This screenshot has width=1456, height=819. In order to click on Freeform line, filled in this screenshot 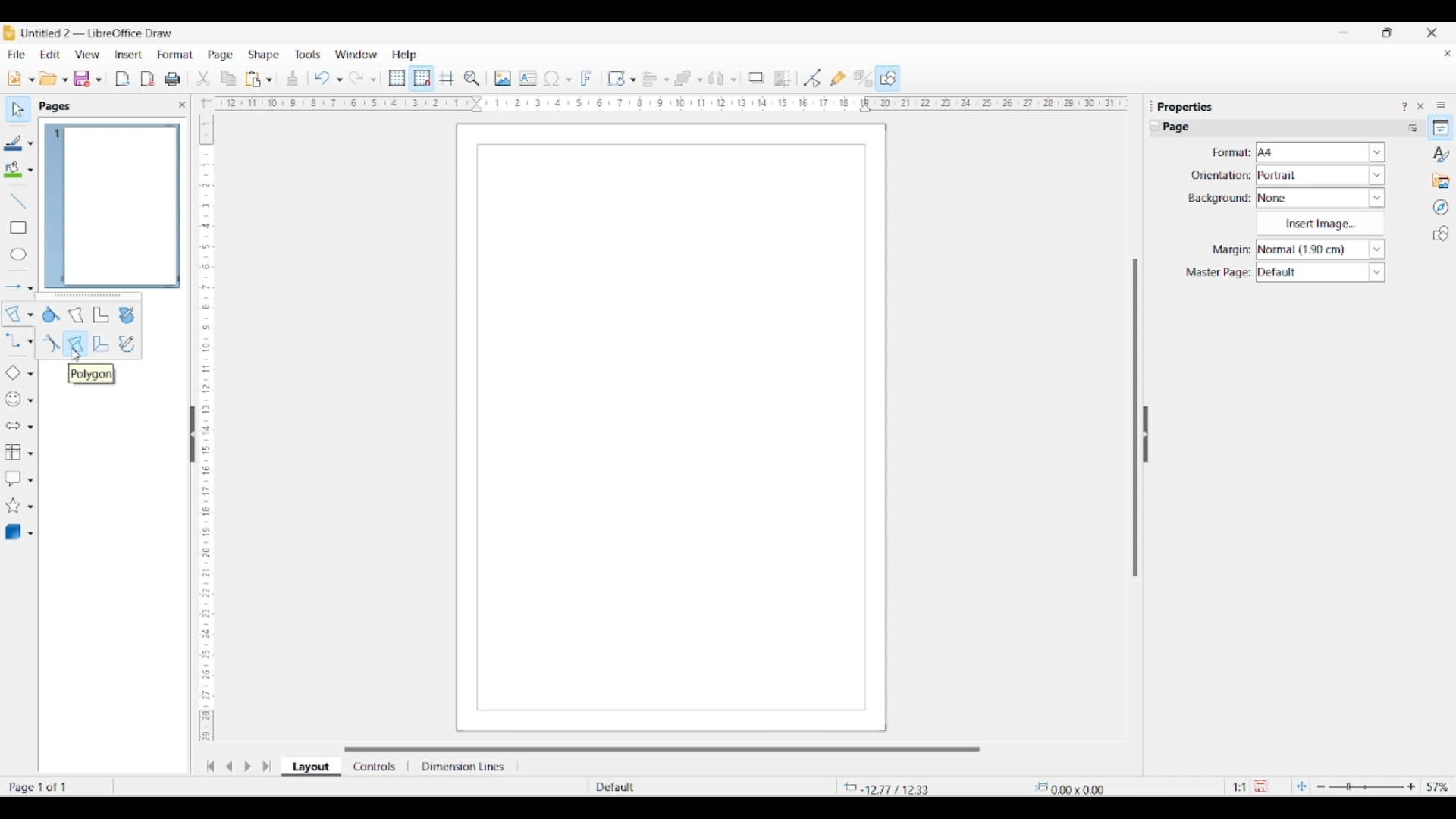, I will do `click(126, 315)`.